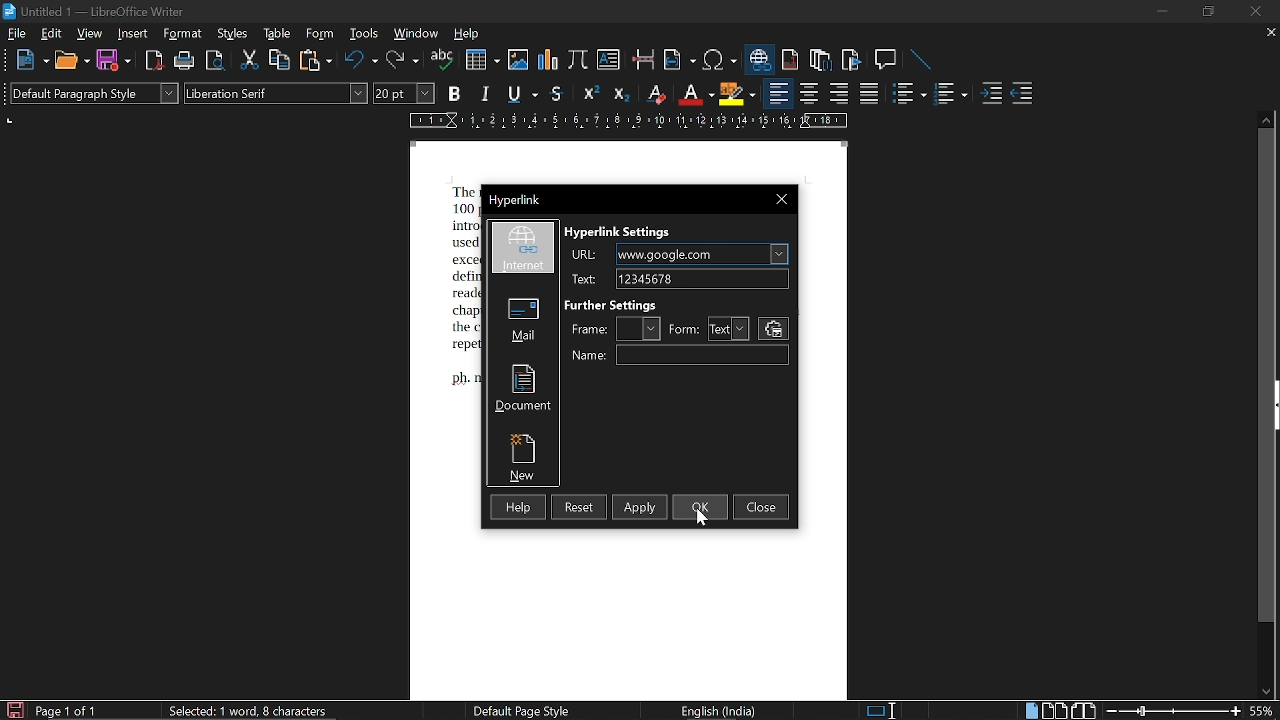 Image resolution: width=1280 pixels, height=720 pixels. I want to click on name, so click(702, 355).